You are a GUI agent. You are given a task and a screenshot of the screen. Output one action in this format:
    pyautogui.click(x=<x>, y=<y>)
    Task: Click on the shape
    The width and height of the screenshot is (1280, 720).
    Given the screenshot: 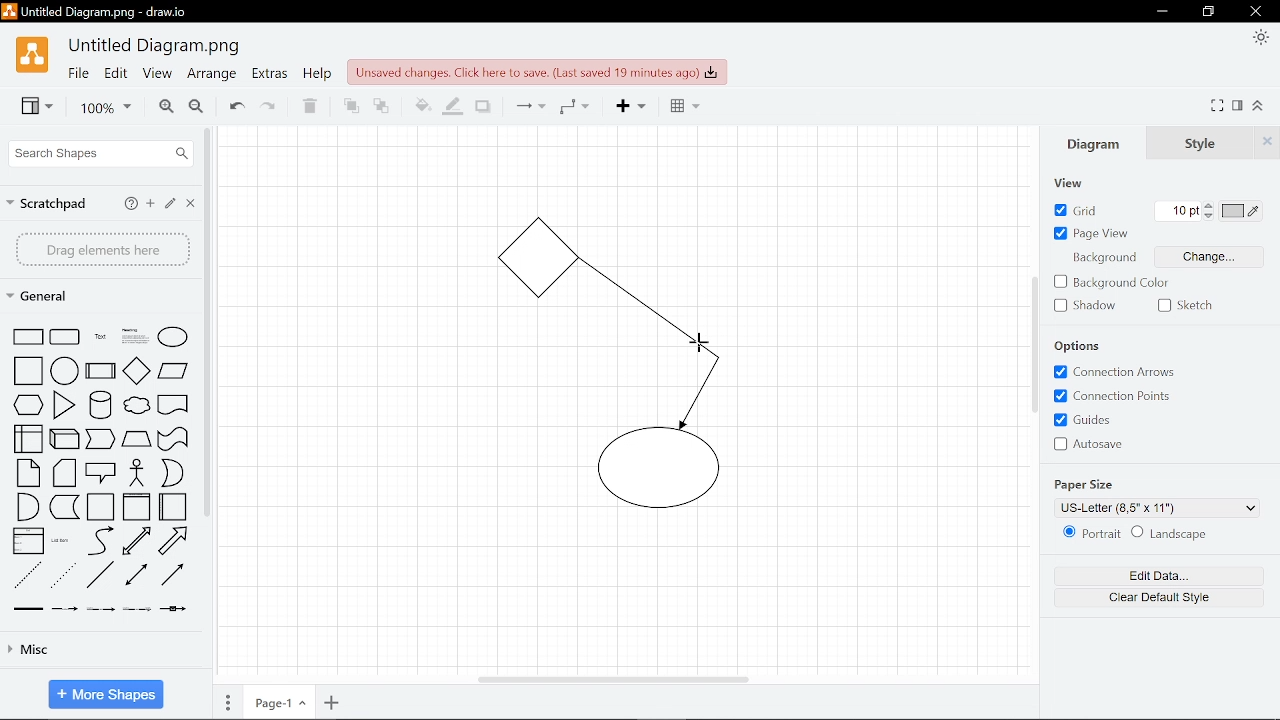 What is the action you would take?
    pyautogui.click(x=173, y=439)
    